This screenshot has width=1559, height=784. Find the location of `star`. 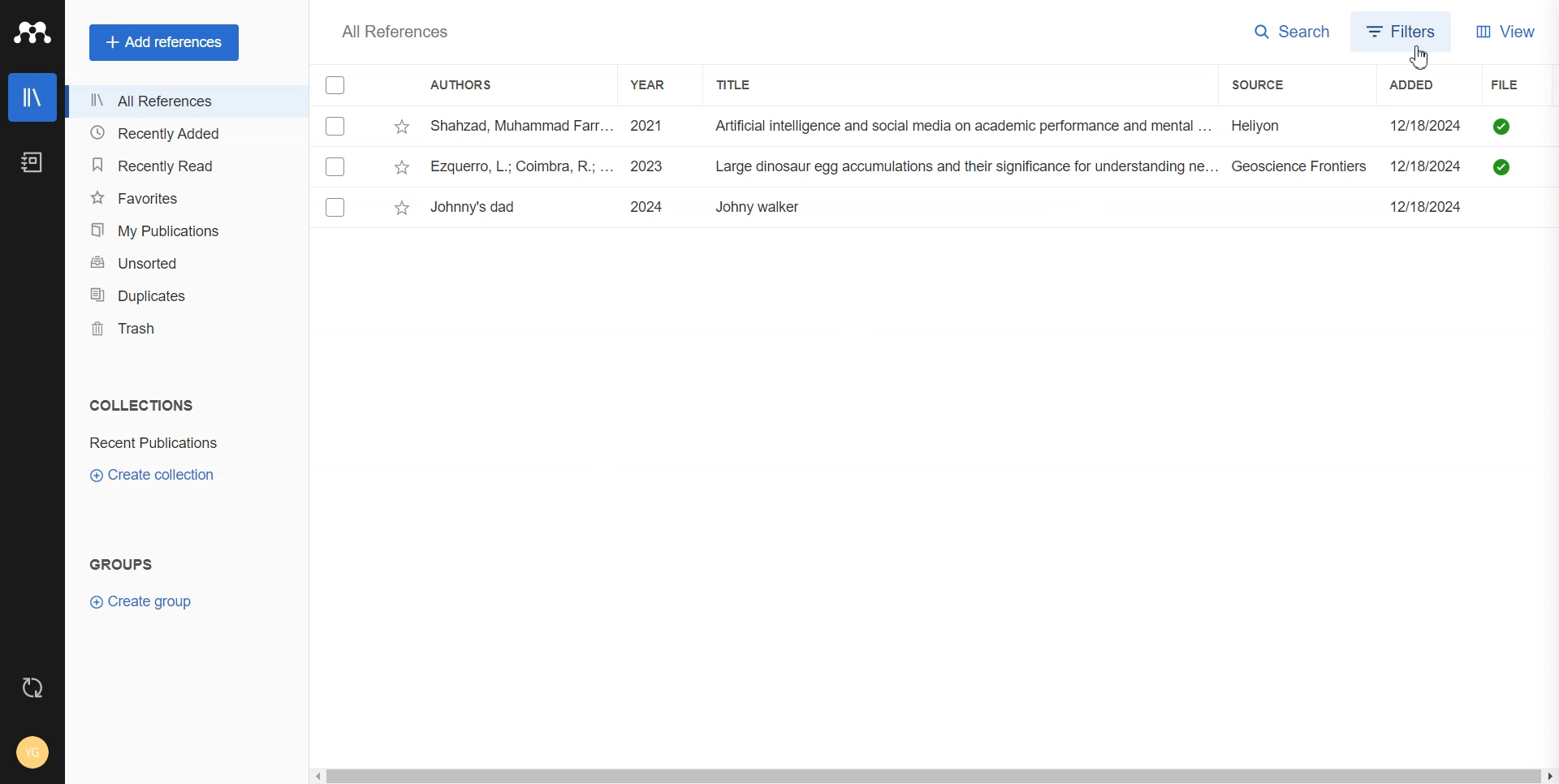

star is located at coordinates (403, 127).